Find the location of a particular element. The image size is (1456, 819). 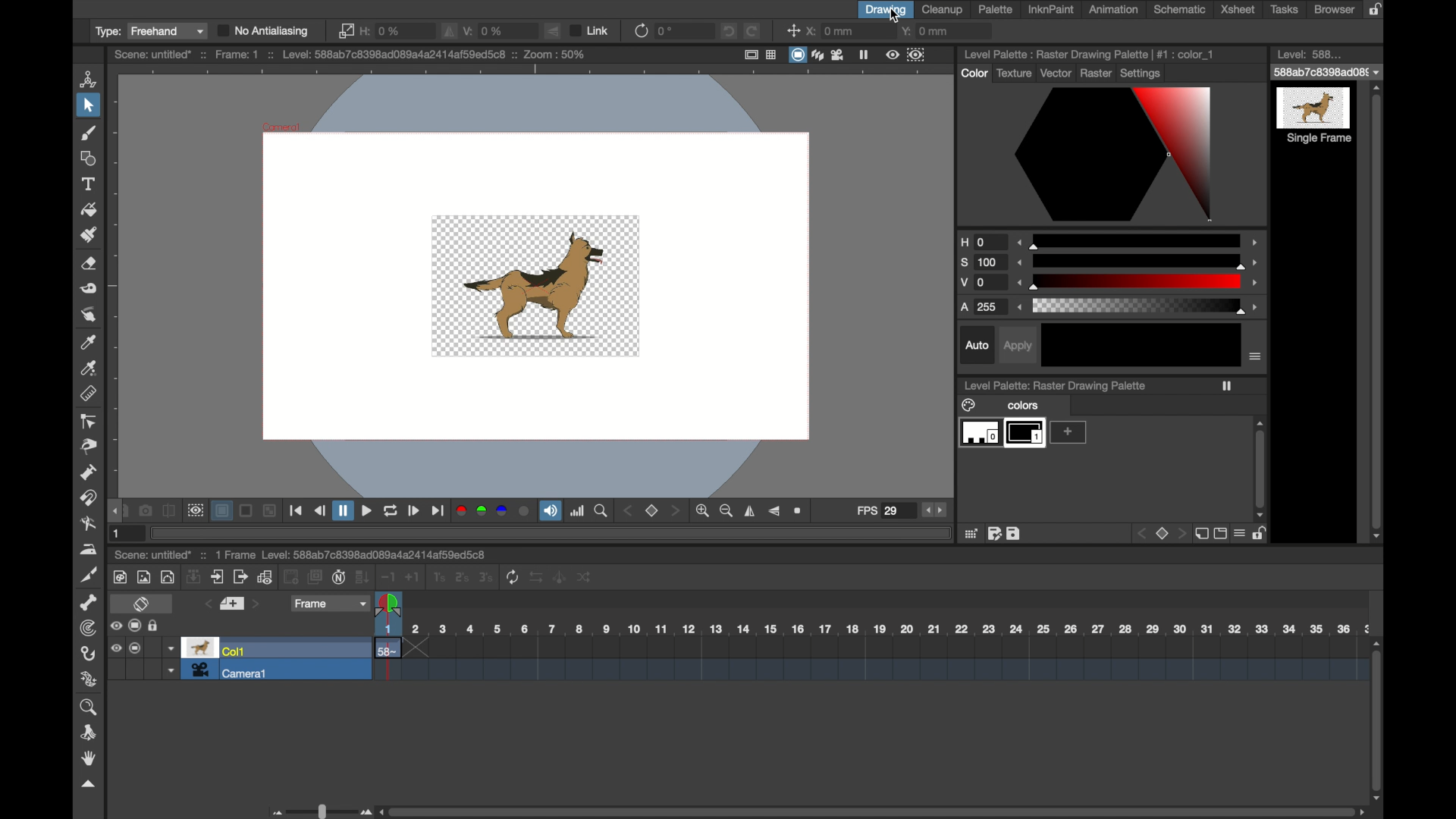

pinch tool is located at coordinates (90, 447).